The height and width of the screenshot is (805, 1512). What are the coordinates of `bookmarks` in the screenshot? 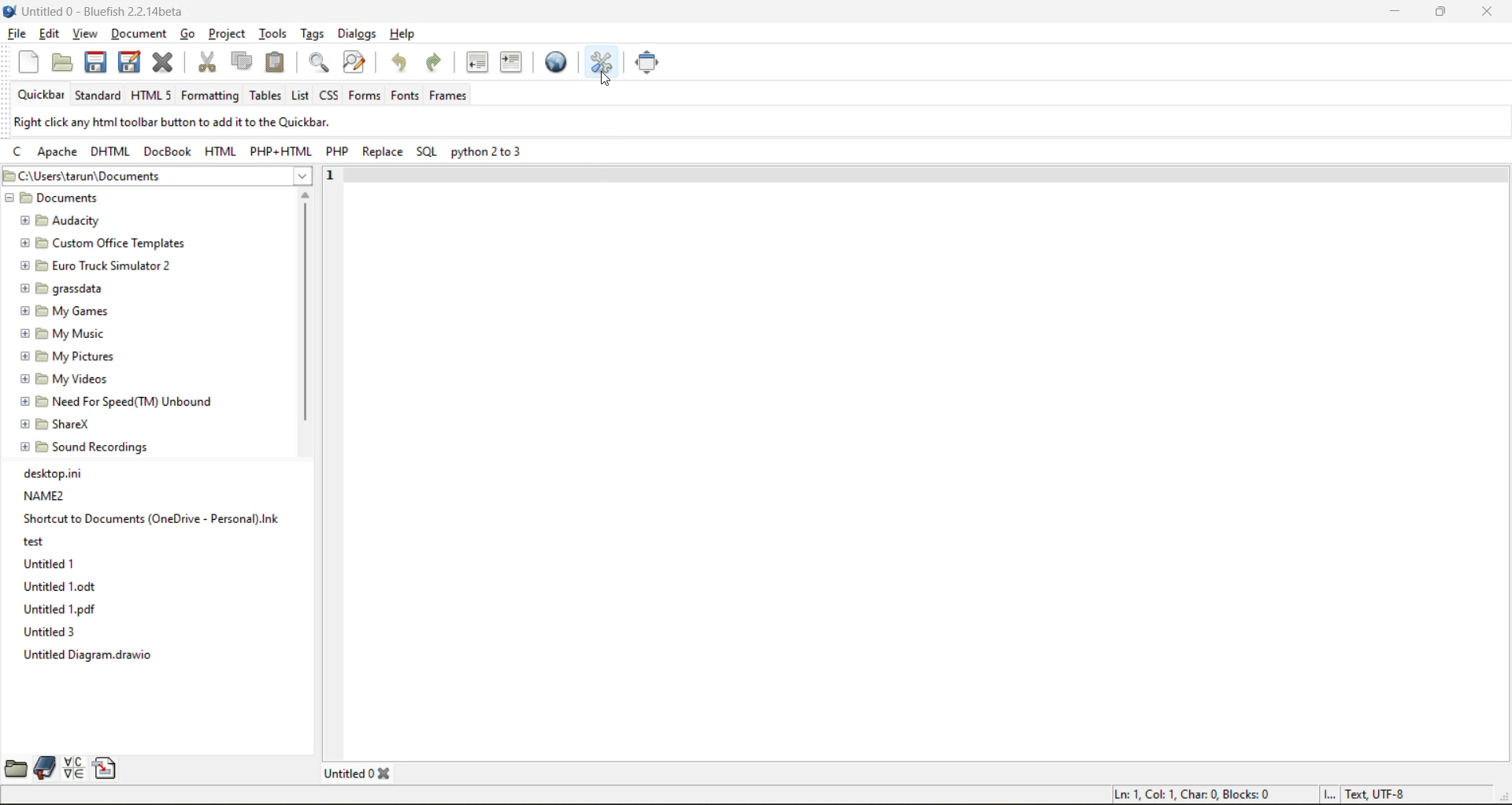 It's located at (43, 768).